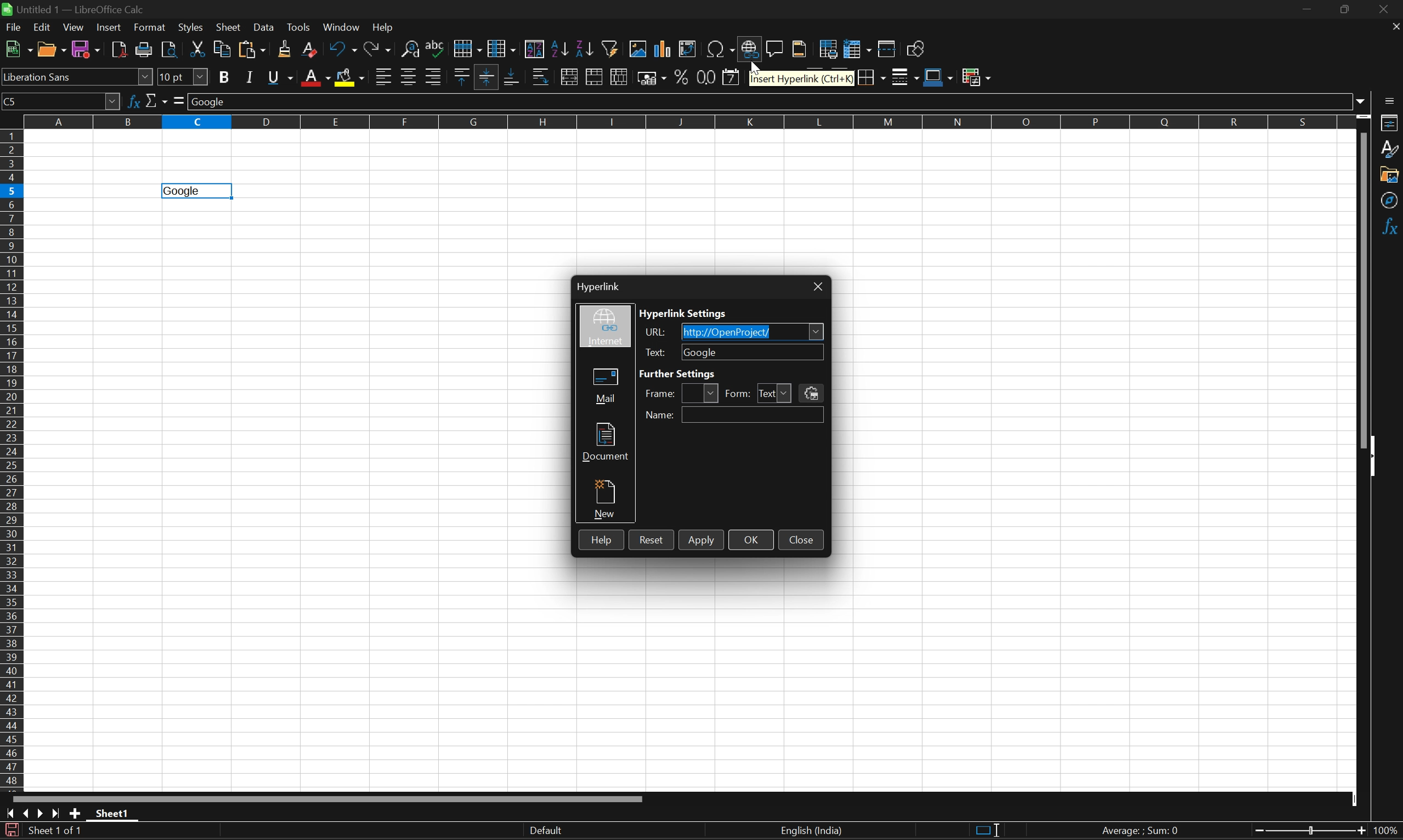  I want to click on Define print area, so click(828, 47).